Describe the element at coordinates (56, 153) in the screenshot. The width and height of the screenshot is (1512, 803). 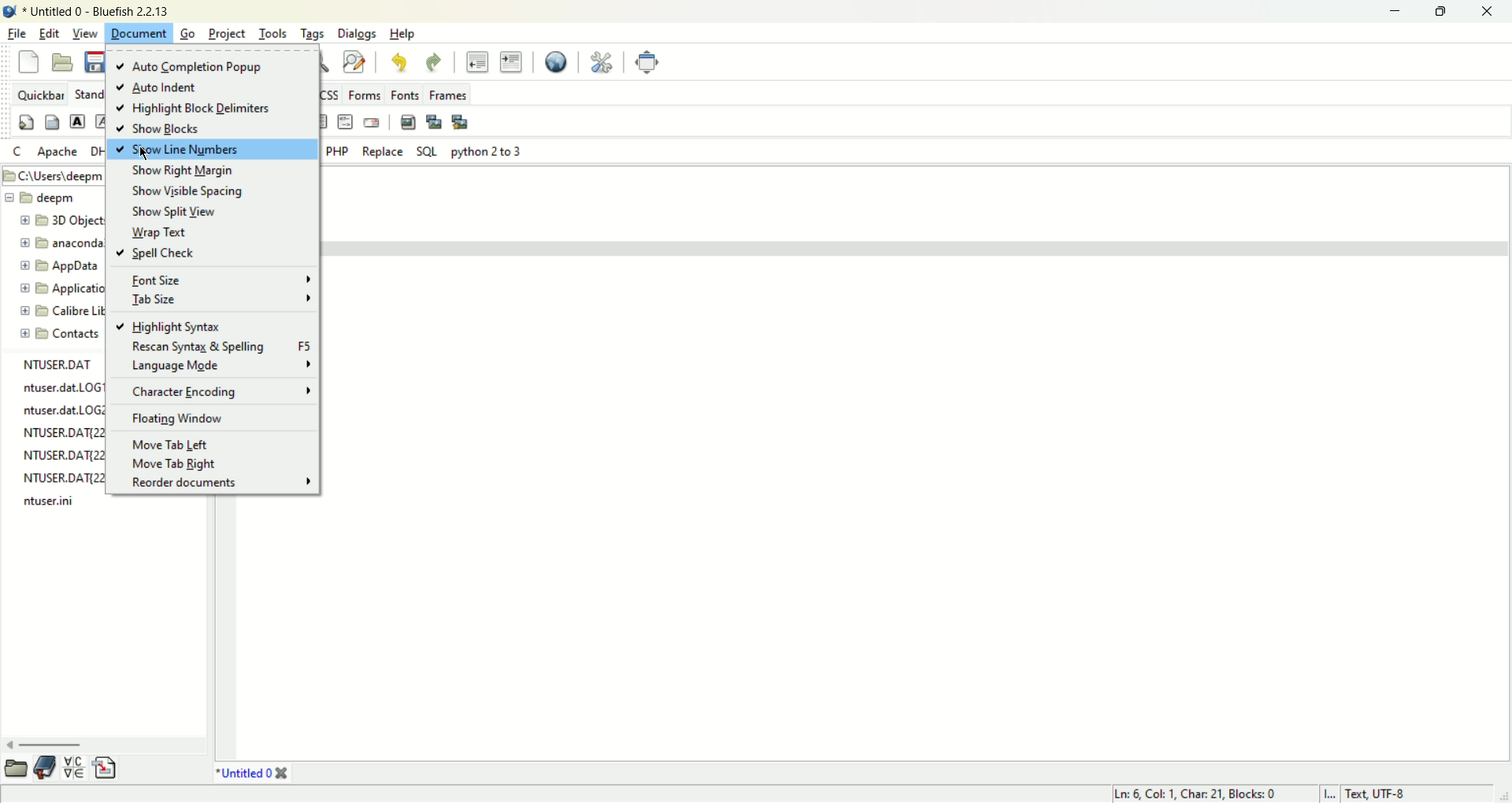
I see `apache` at that location.